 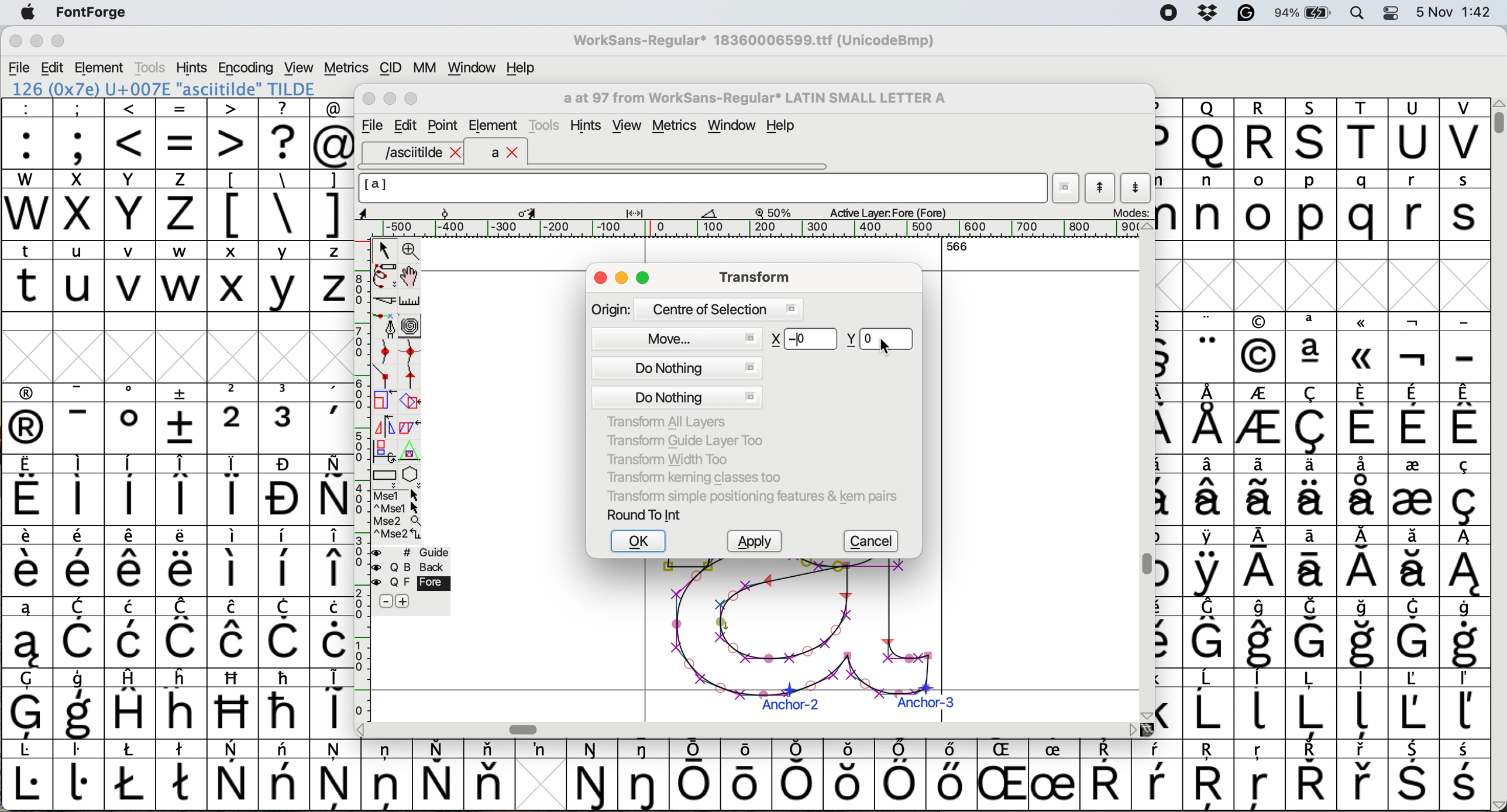 I want to click on , so click(x=1211, y=776).